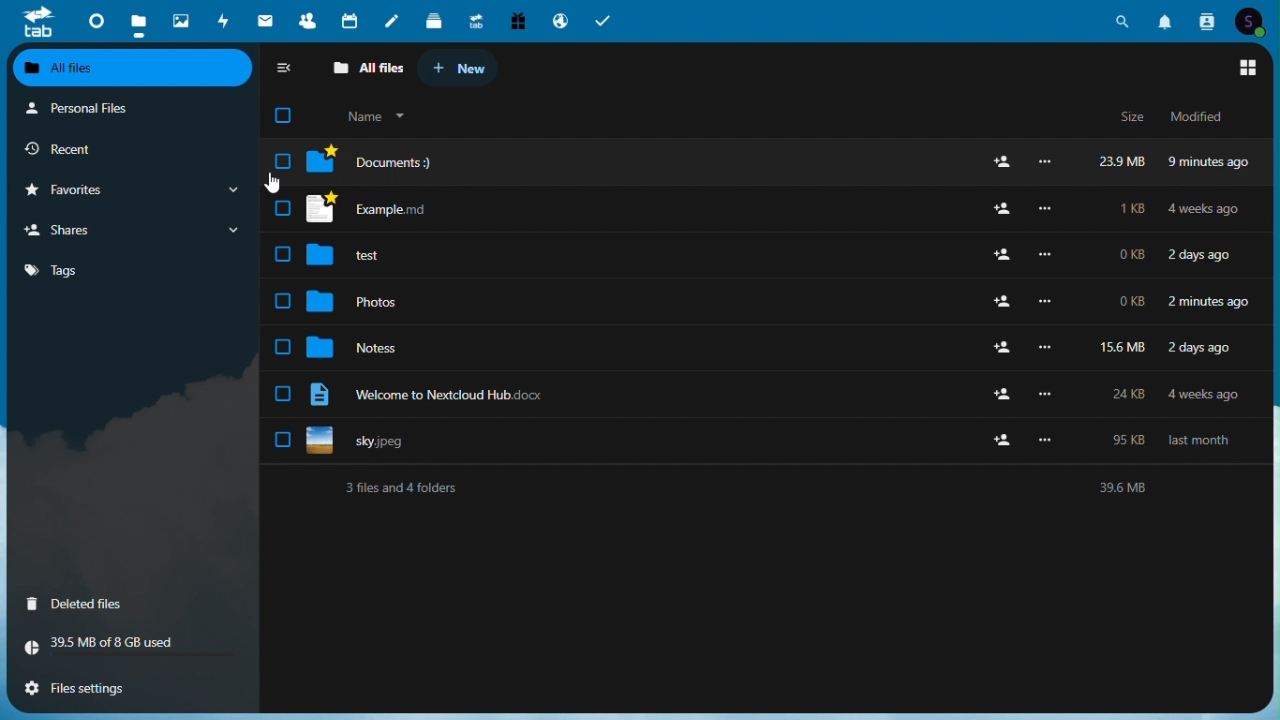 The width and height of the screenshot is (1280, 720). I want to click on photos, so click(180, 19).